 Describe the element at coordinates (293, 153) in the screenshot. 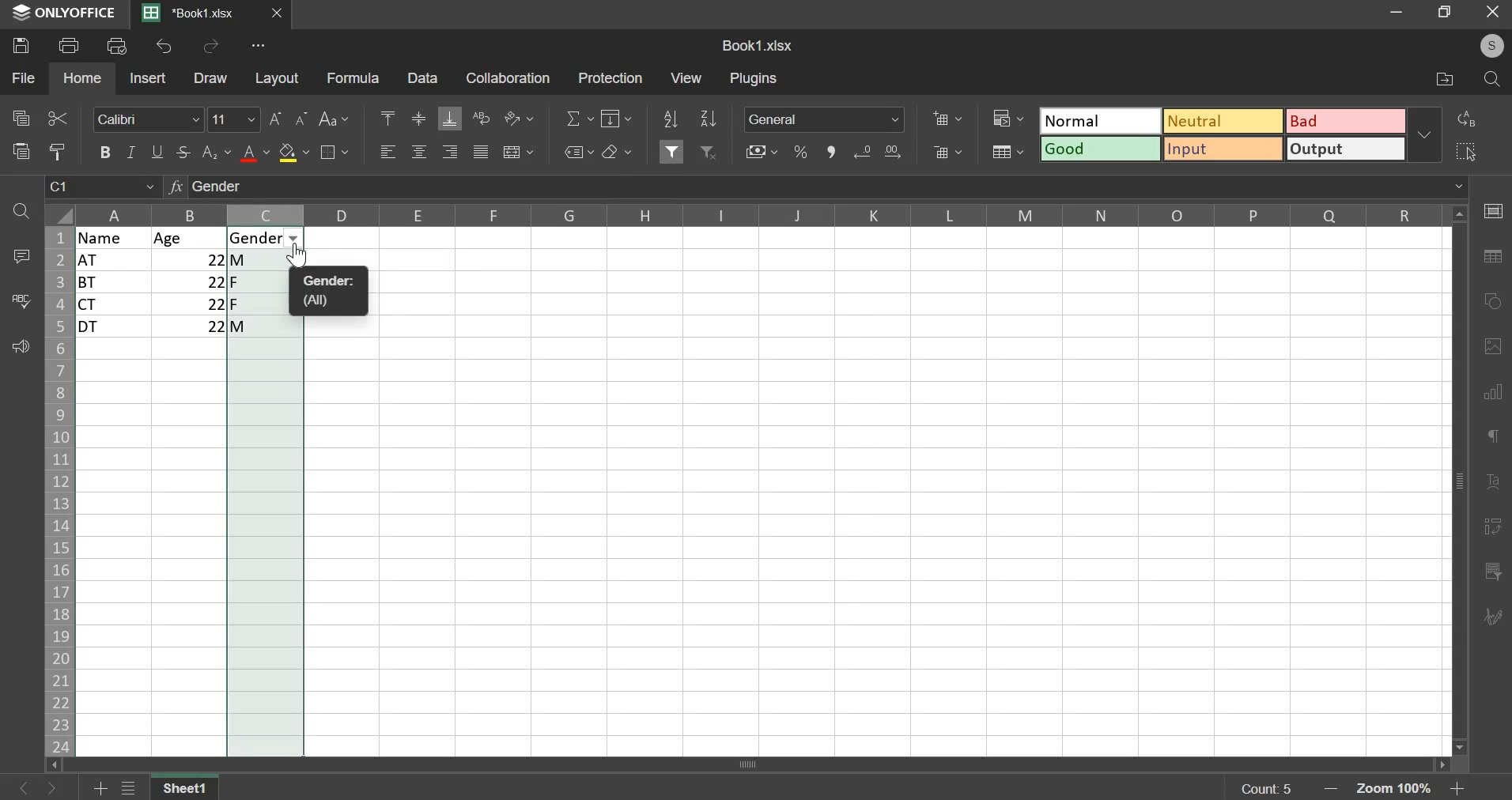

I see `background` at that location.